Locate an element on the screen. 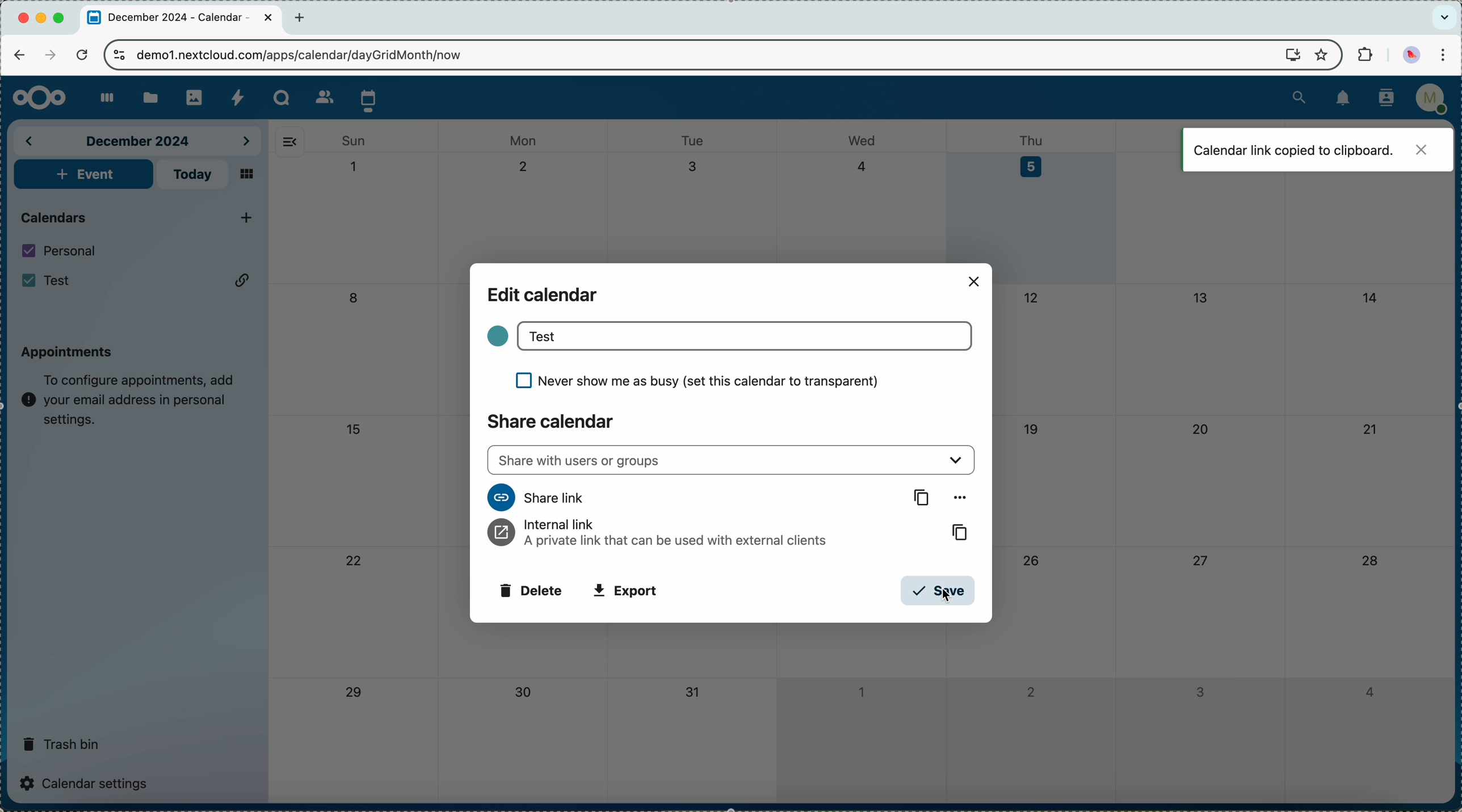  never show me as busy is located at coordinates (695, 380).